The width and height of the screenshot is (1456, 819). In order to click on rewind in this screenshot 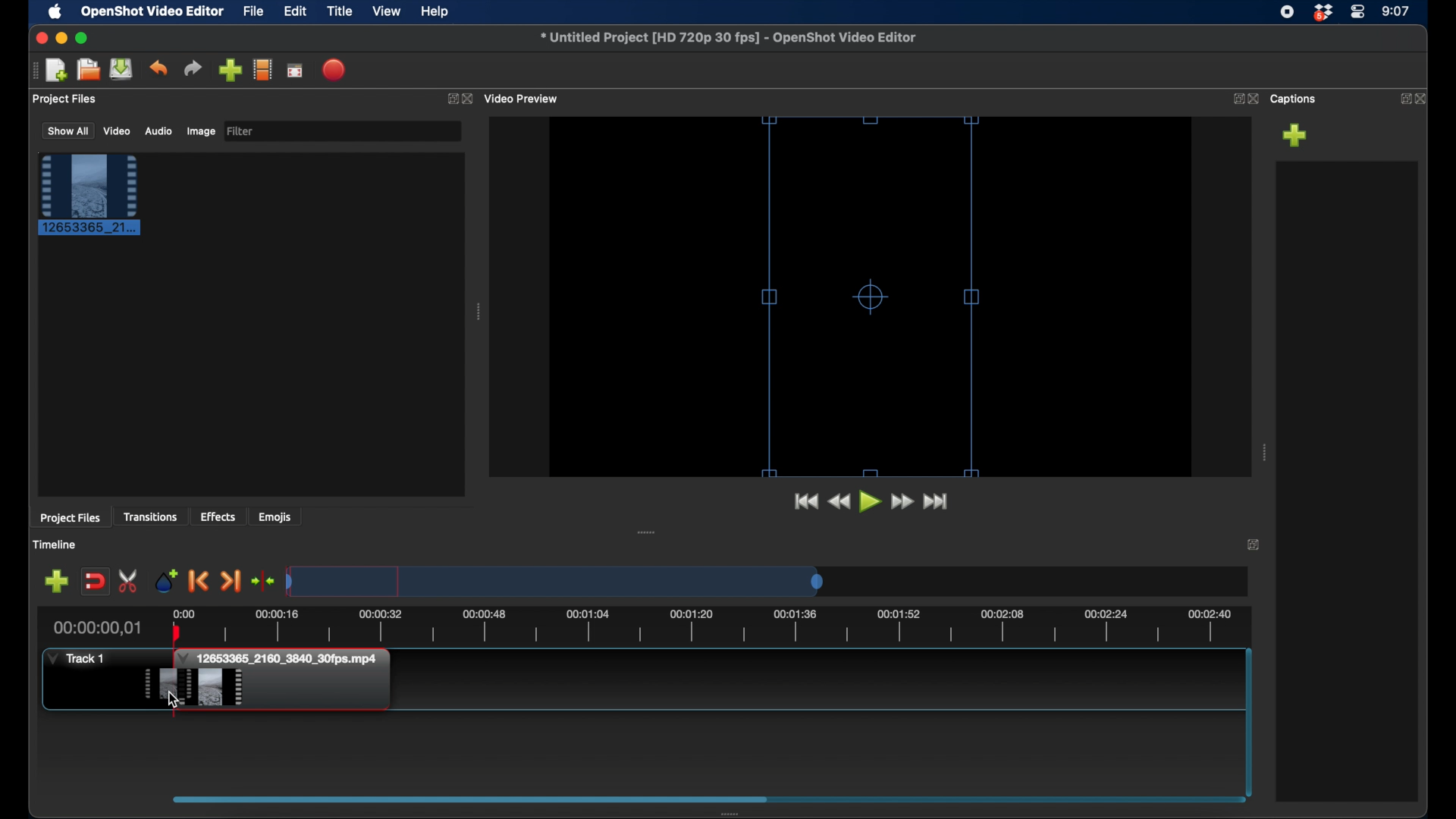, I will do `click(839, 501)`.